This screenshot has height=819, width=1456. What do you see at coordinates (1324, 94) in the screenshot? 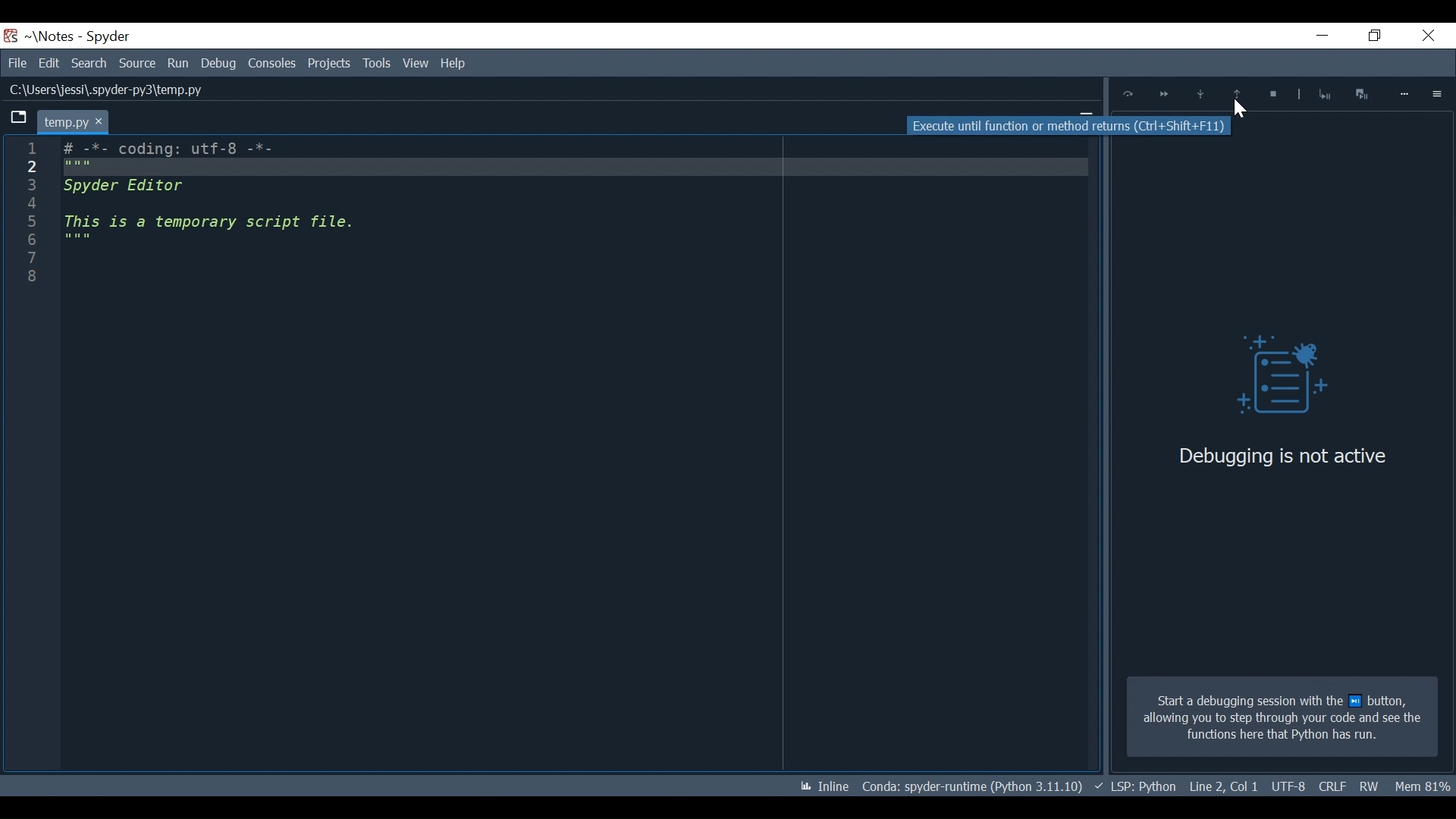
I see `Stop Debugging` at bounding box center [1324, 94].